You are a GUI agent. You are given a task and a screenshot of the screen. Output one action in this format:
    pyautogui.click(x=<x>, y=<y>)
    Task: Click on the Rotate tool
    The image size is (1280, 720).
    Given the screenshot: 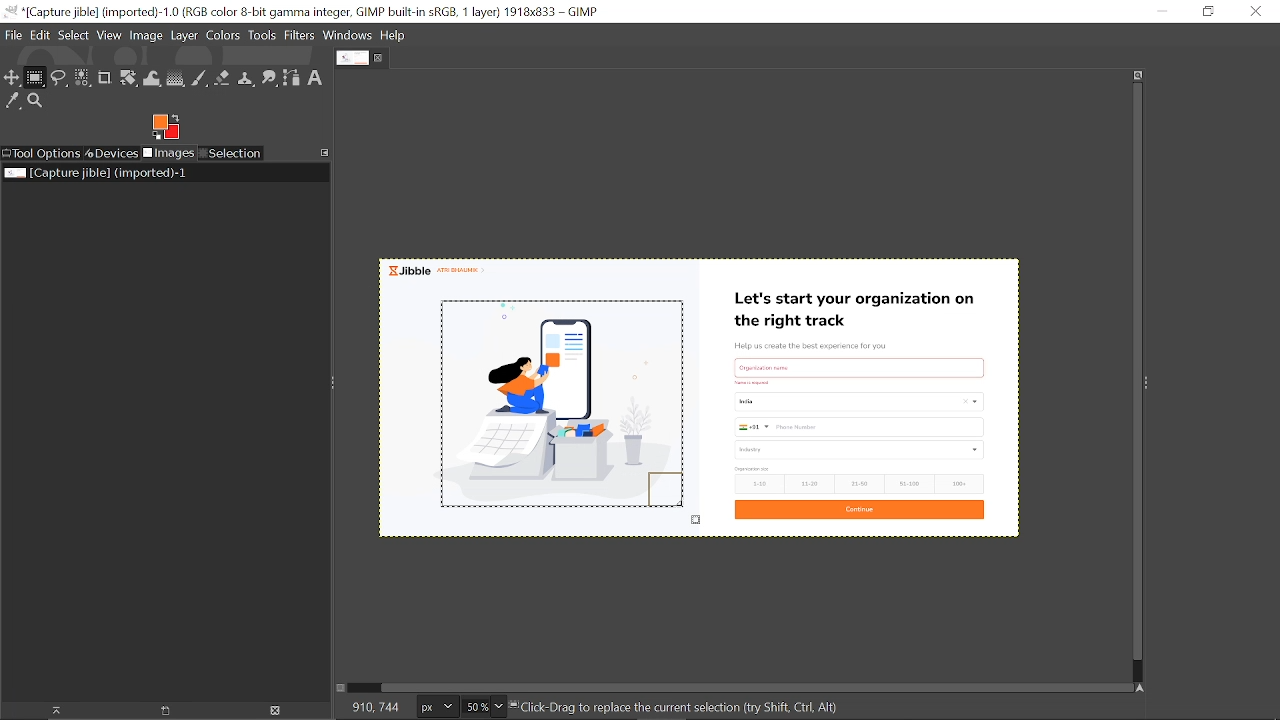 What is the action you would take?
    pyautogui.click(x=128, y=79)
    